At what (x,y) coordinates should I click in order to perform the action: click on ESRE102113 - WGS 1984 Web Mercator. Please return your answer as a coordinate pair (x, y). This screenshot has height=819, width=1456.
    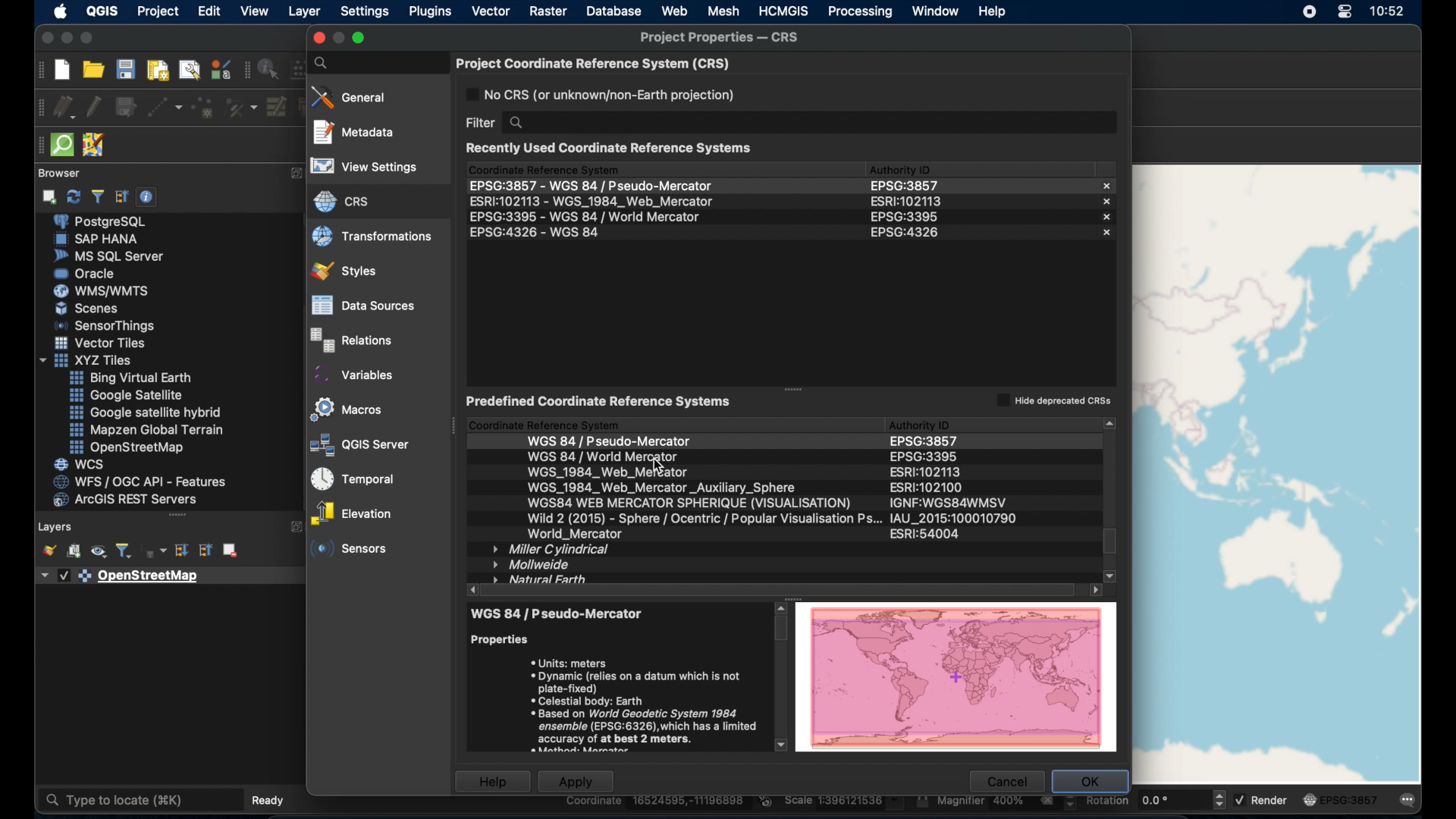
    Looking at the image, I should click on (591, 199).